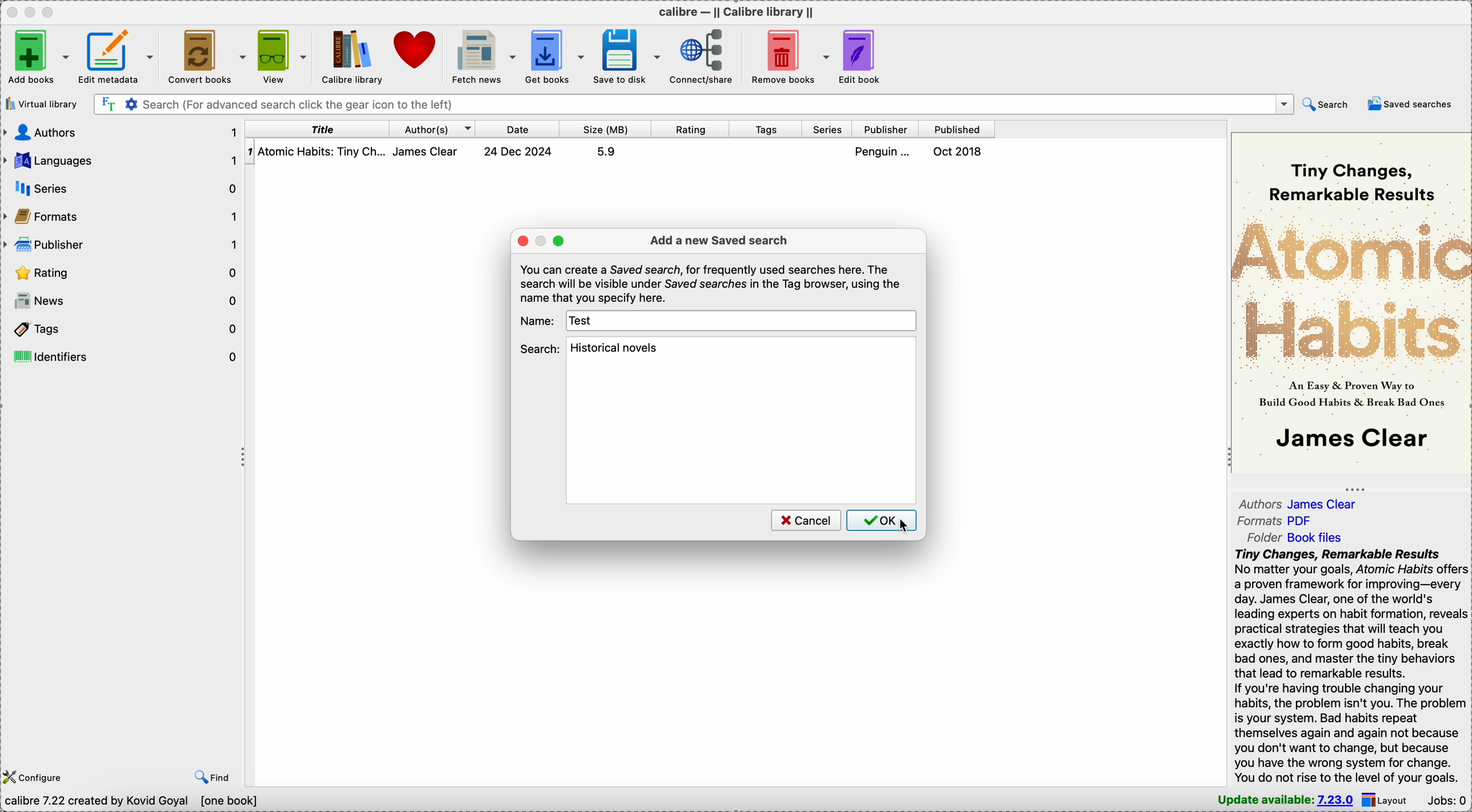 This screenshot has width=1472, height=812. I want to click on formats PDF, so click(1275, 522).